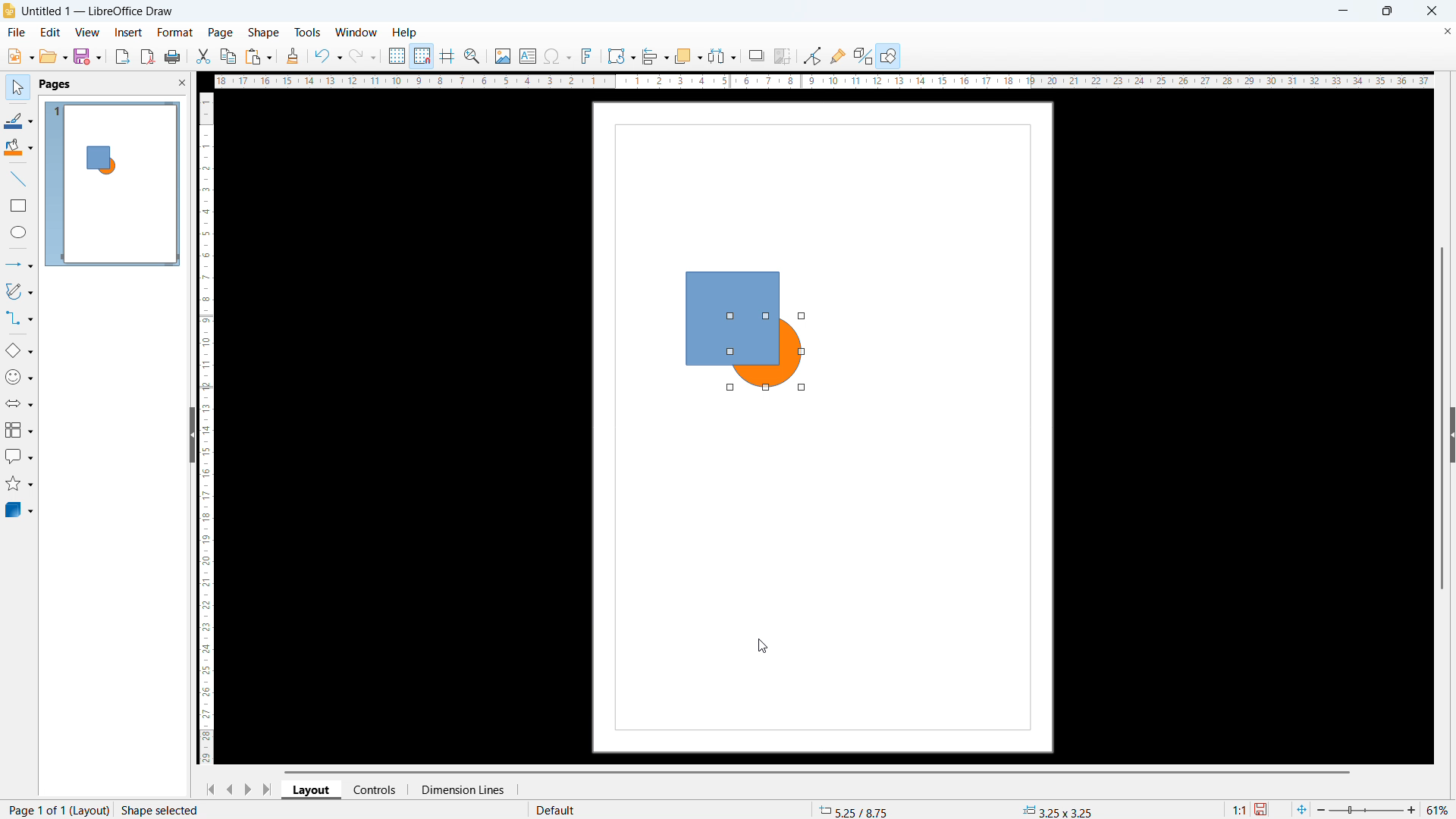 This screenshot has width=1456, height=819. I want to click on Maximise , so click(1383, 11).